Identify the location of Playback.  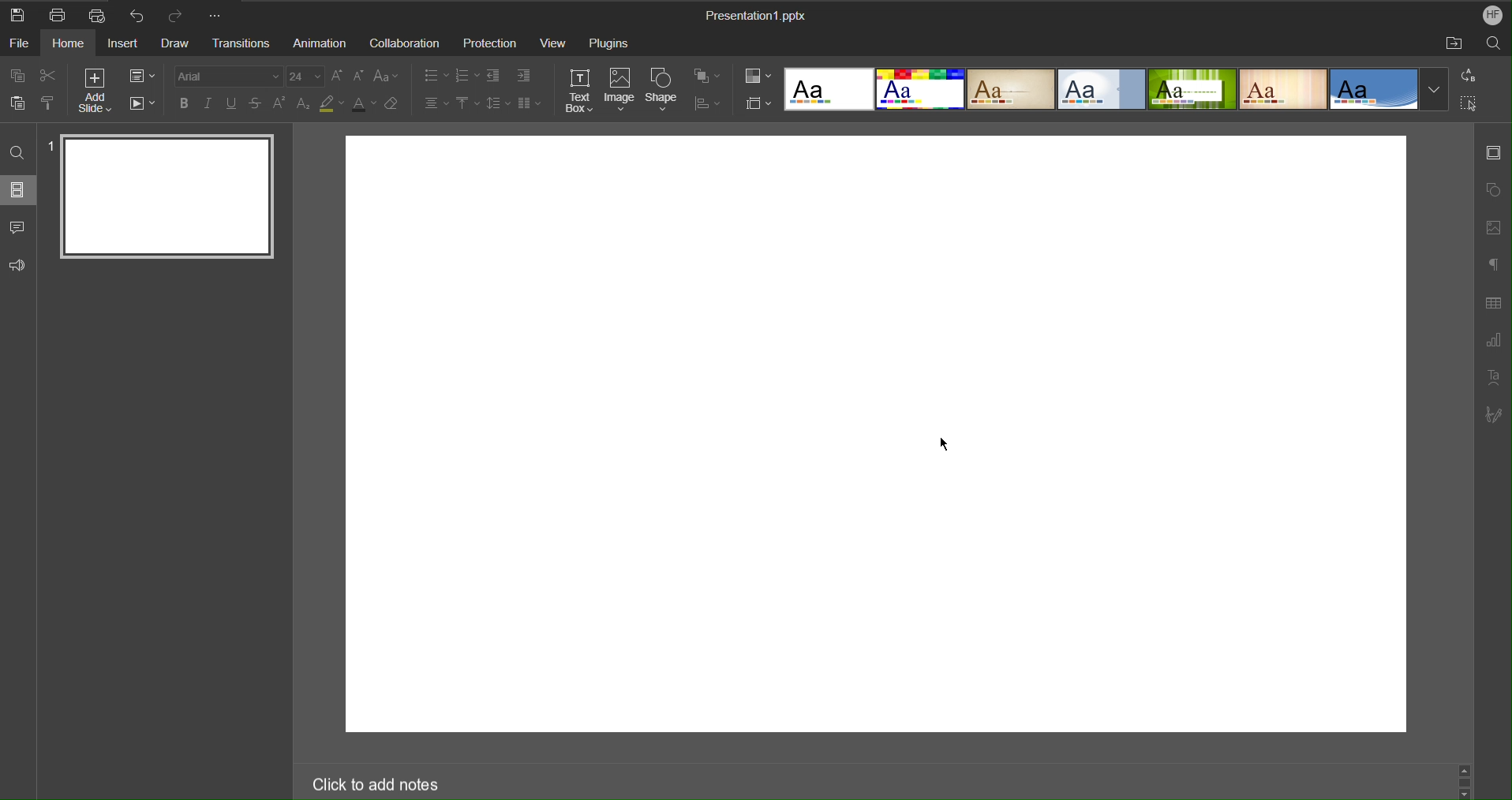
(142, 104).